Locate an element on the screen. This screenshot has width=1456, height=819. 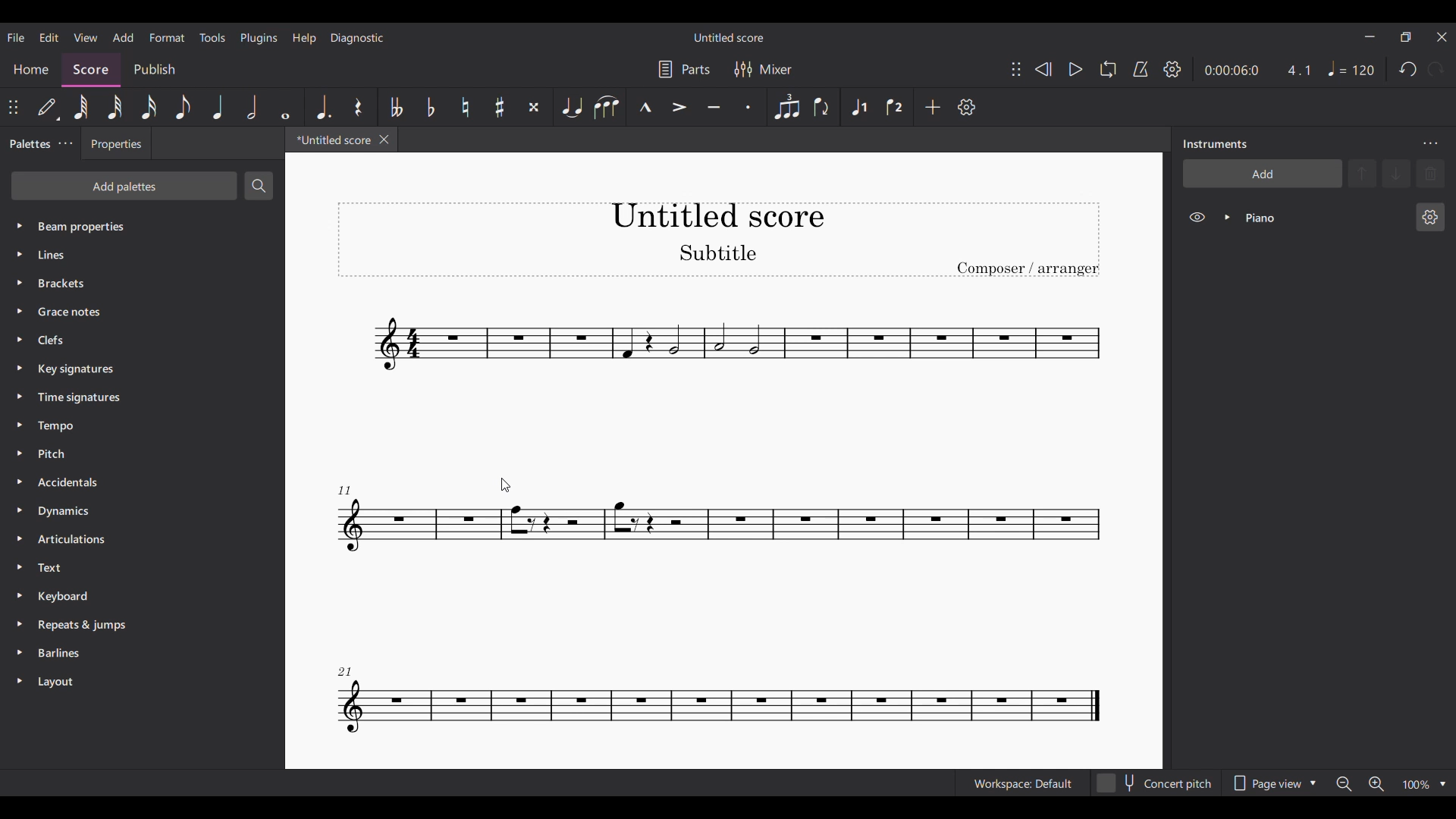
Brackets is located at coordinates (136, 280).